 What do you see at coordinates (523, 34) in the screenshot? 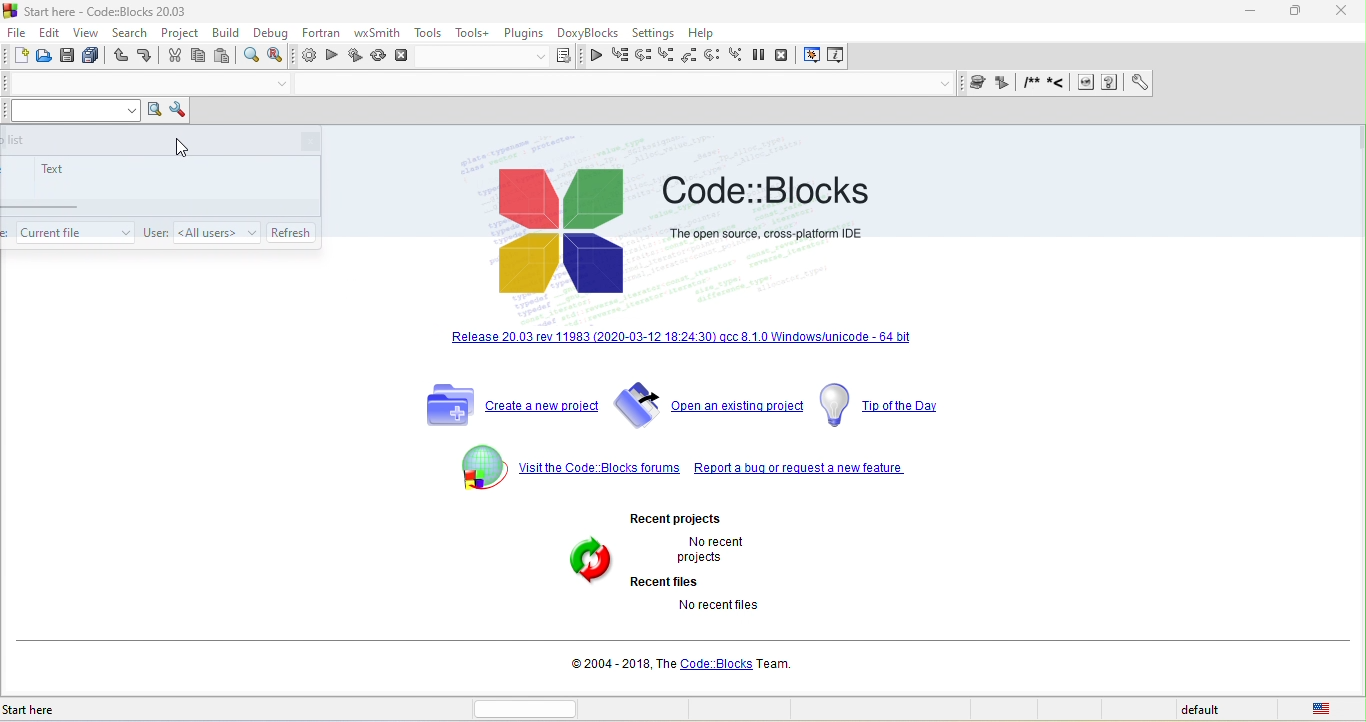
I see `plugins` at bounding box center [523, 34].